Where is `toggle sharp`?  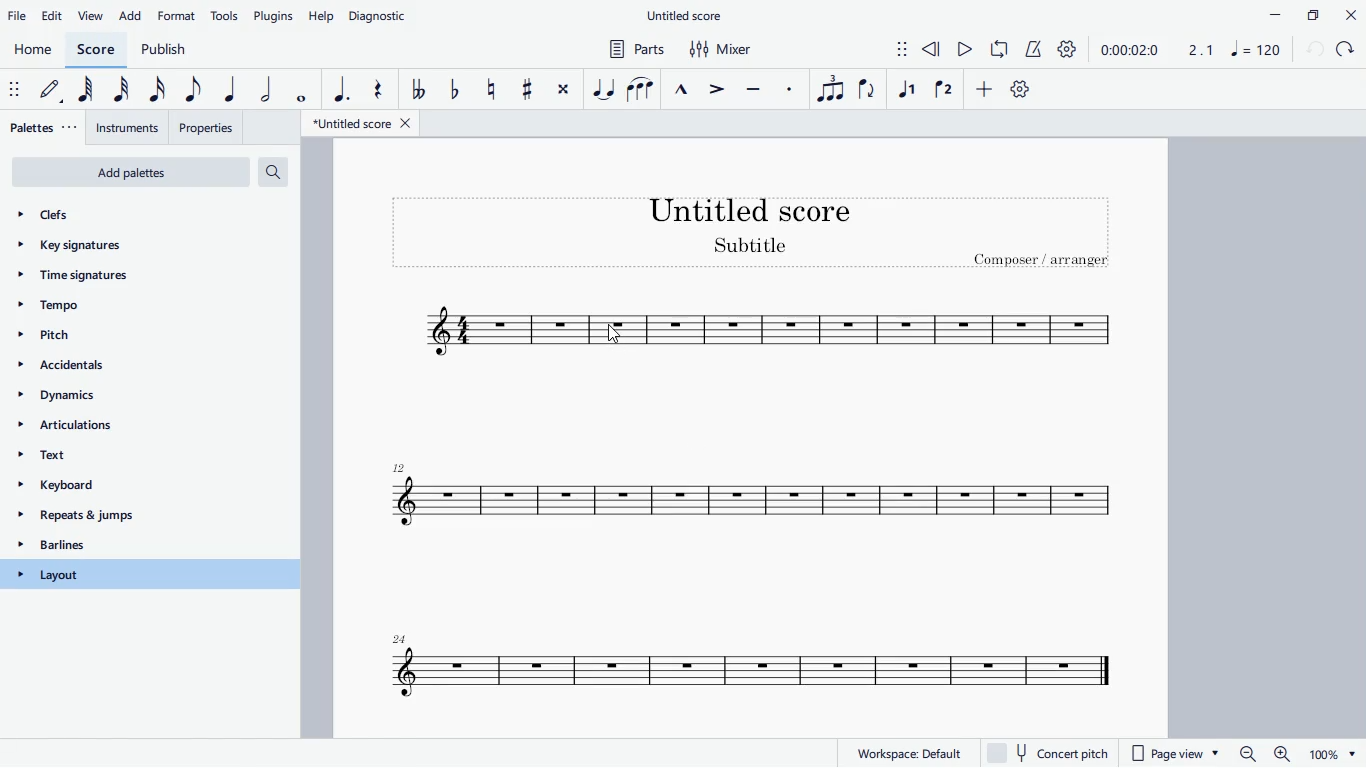 toggle sharp is located at coordinates (528, 91).